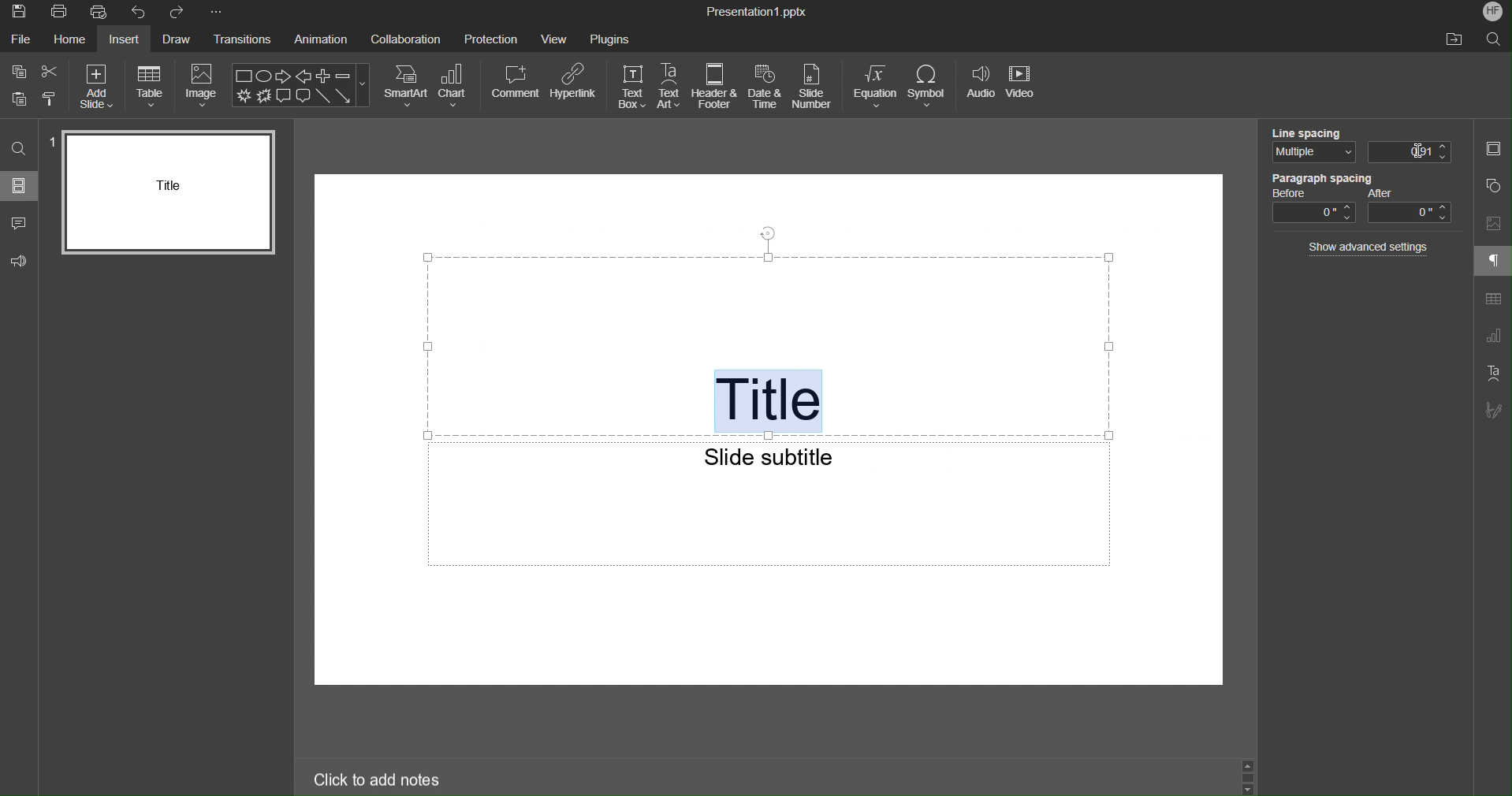  Describe the element at coordinates (1313, 207) in the screenshot. I see `Before` at that location.